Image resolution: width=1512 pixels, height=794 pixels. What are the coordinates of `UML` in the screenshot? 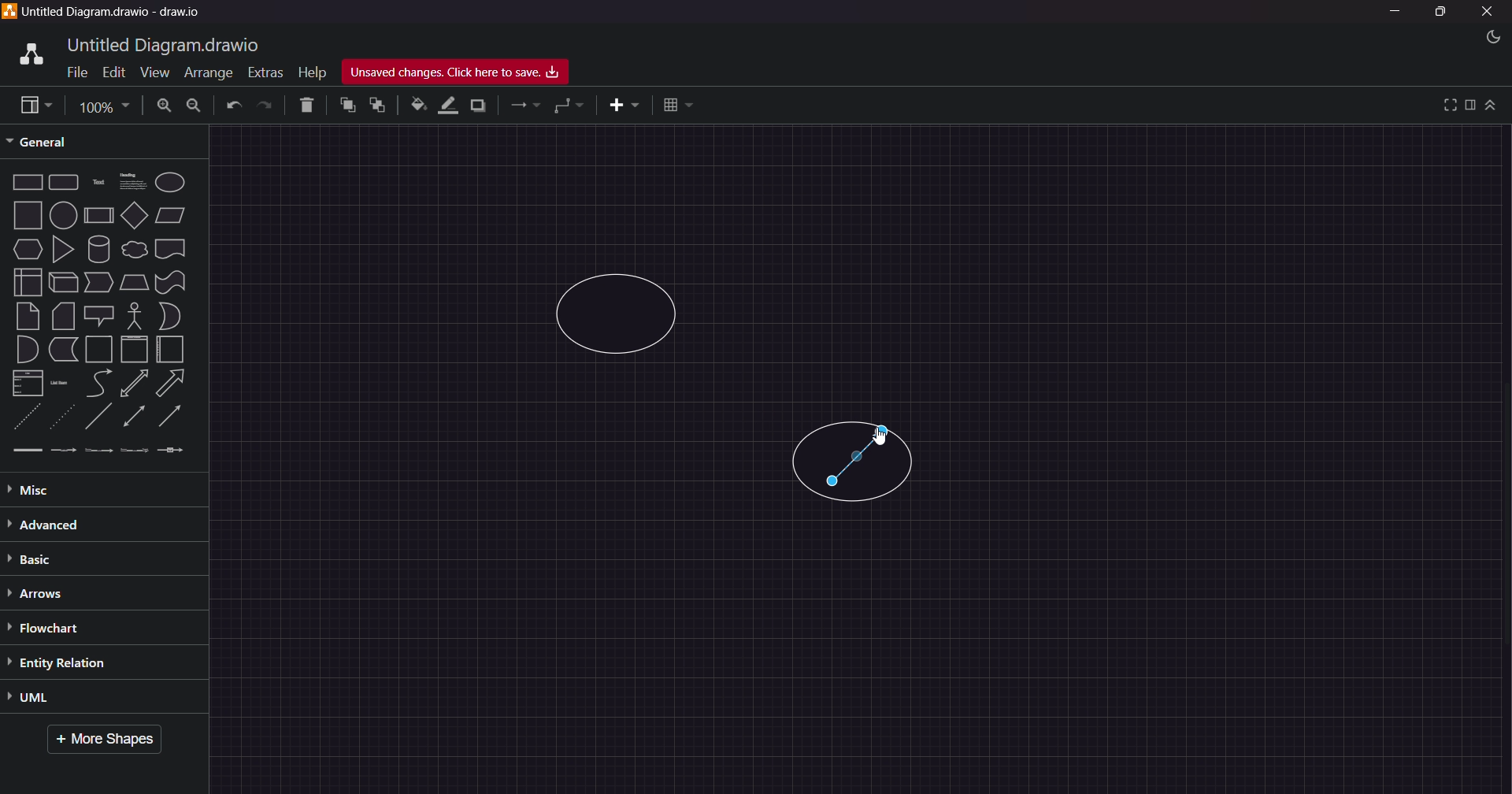 It's located at (72, 699).